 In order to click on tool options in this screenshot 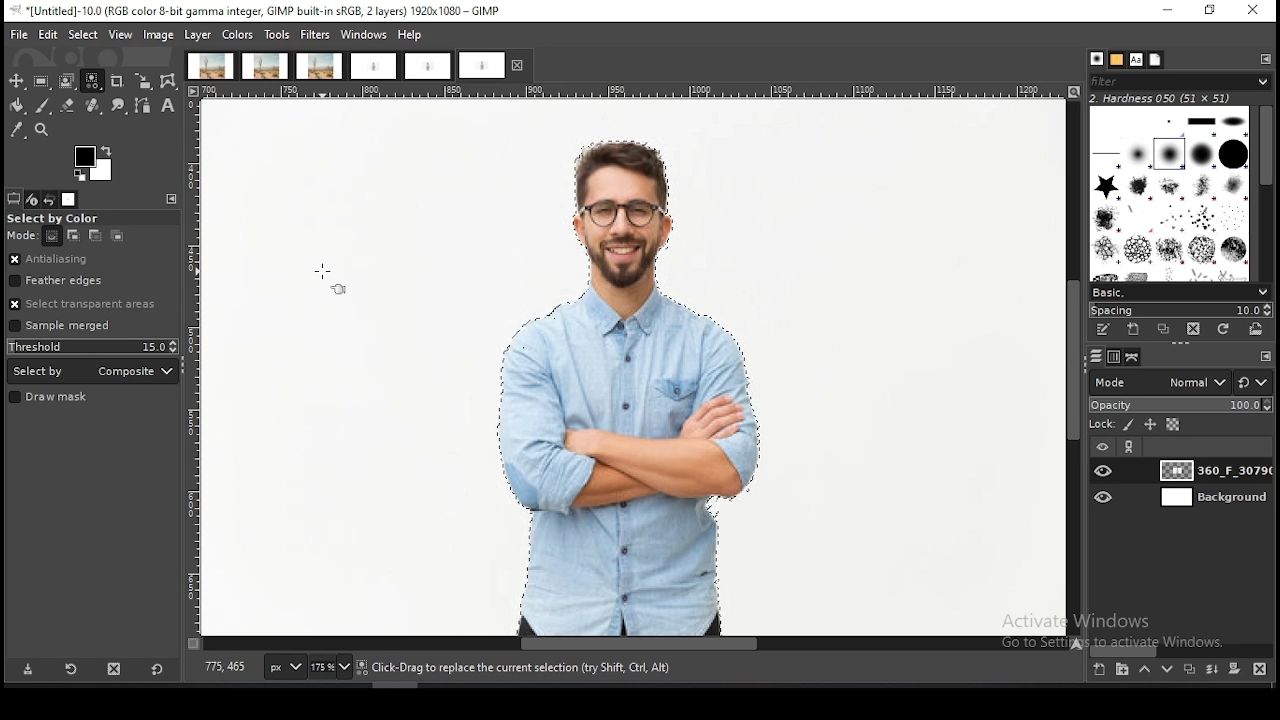, I will do `click(14, 199)`.